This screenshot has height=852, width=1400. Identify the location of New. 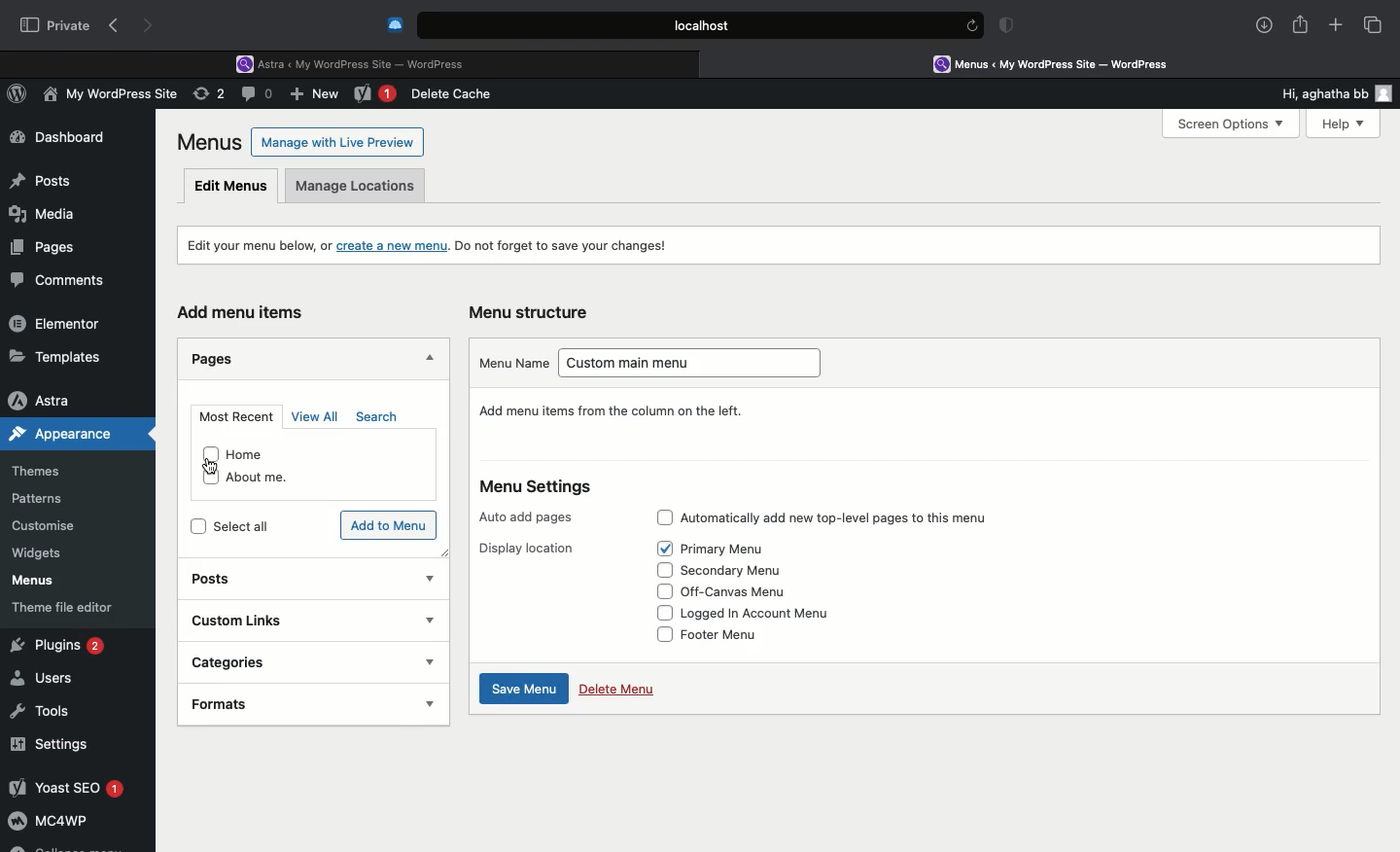
(317, 96).